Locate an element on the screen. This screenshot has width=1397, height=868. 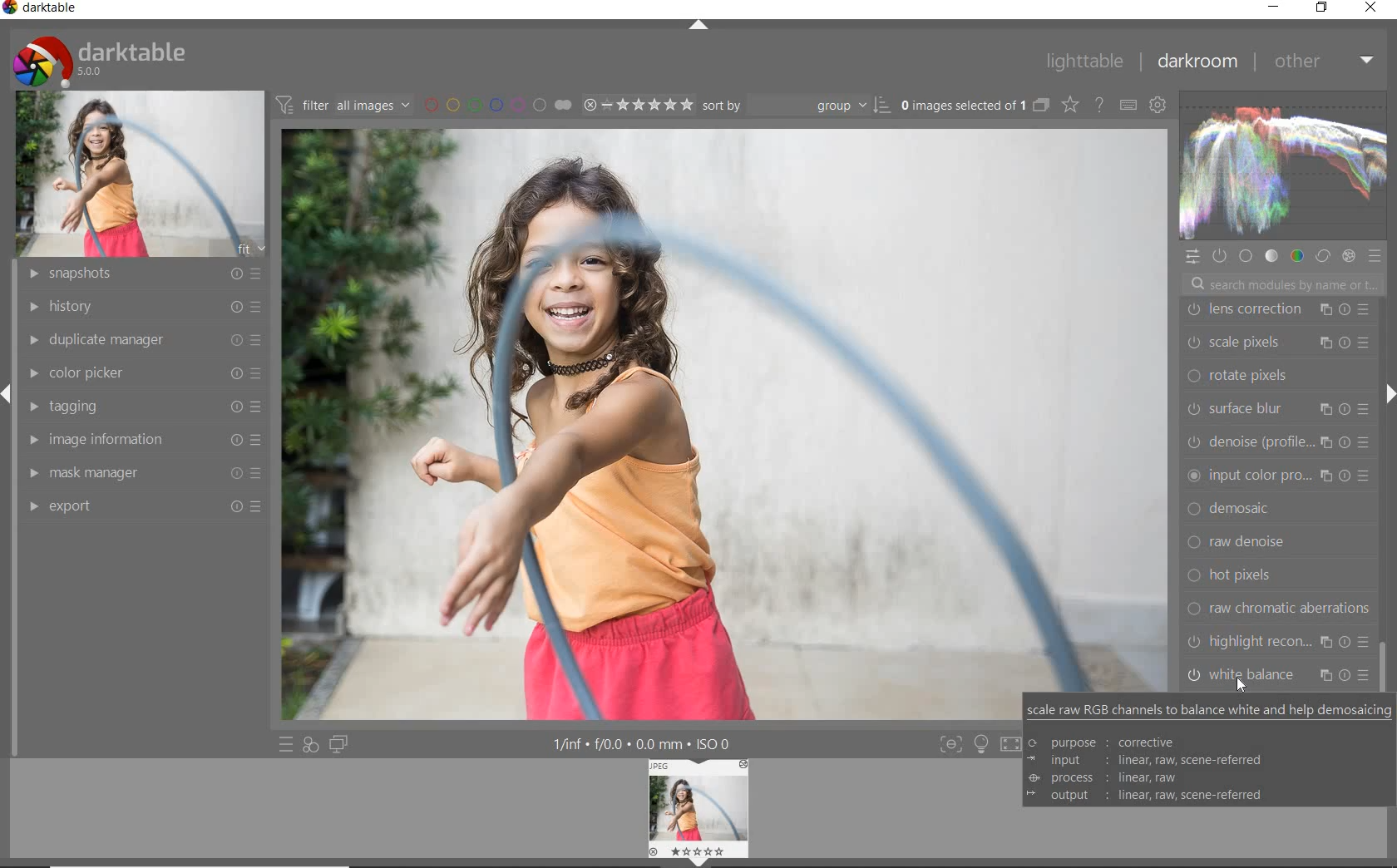
quick access to preset is located at coordinates (286, 743).